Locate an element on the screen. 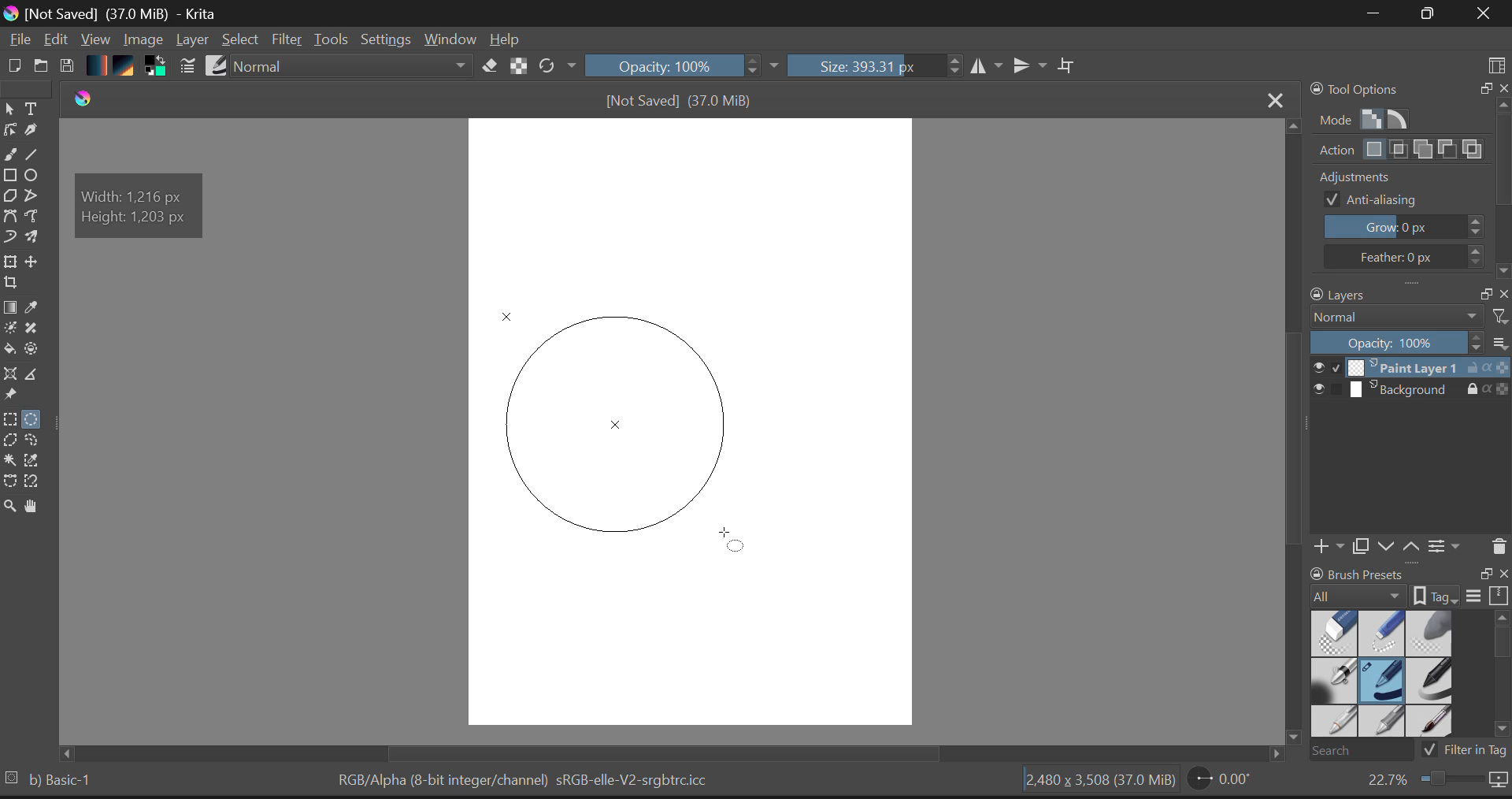 Image resolution: width=1512 pixels, height=799 pixels. Enclose and Fill is located at coordinates (37, 349).